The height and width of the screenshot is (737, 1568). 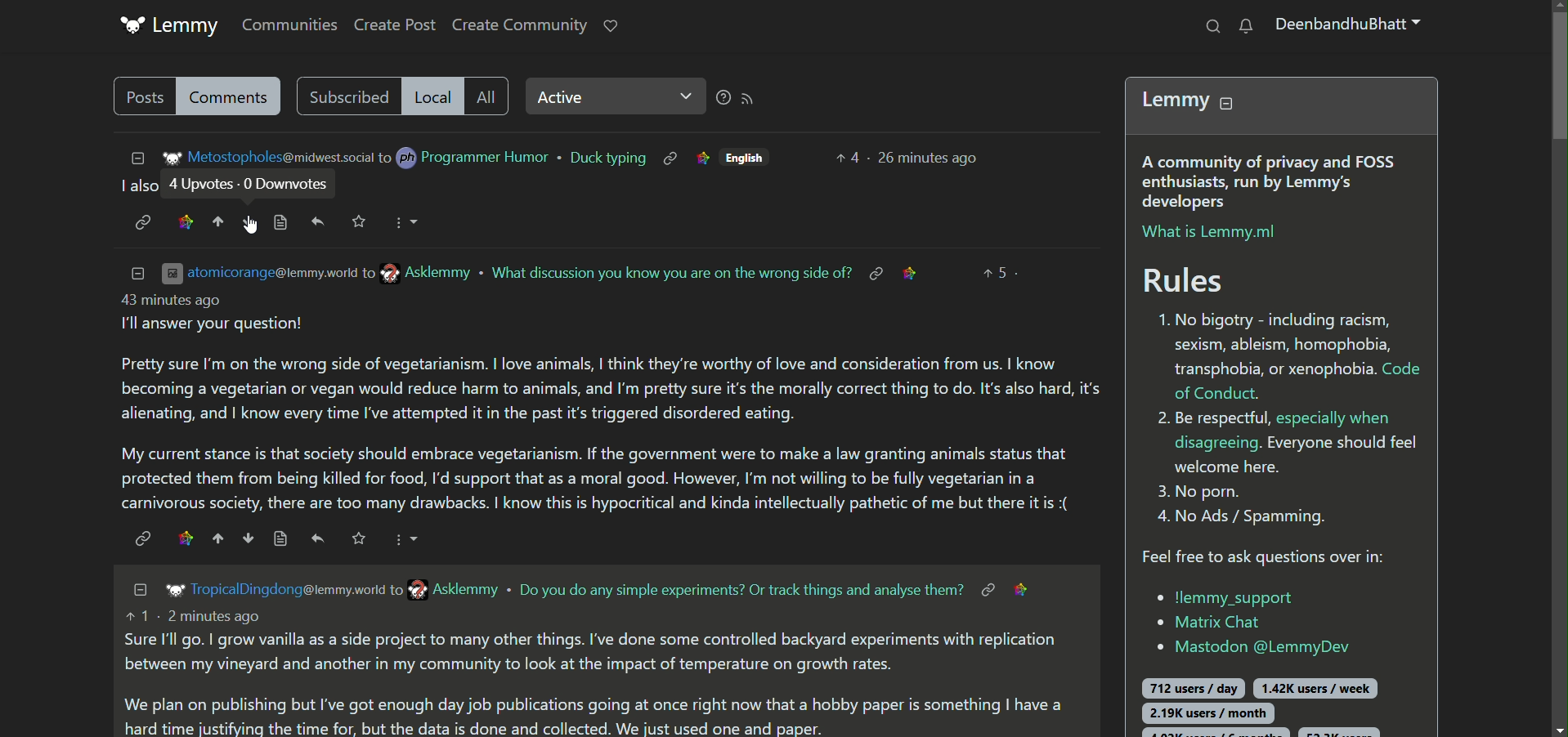 I want to click on highlight, so click(x=1028, y=588).